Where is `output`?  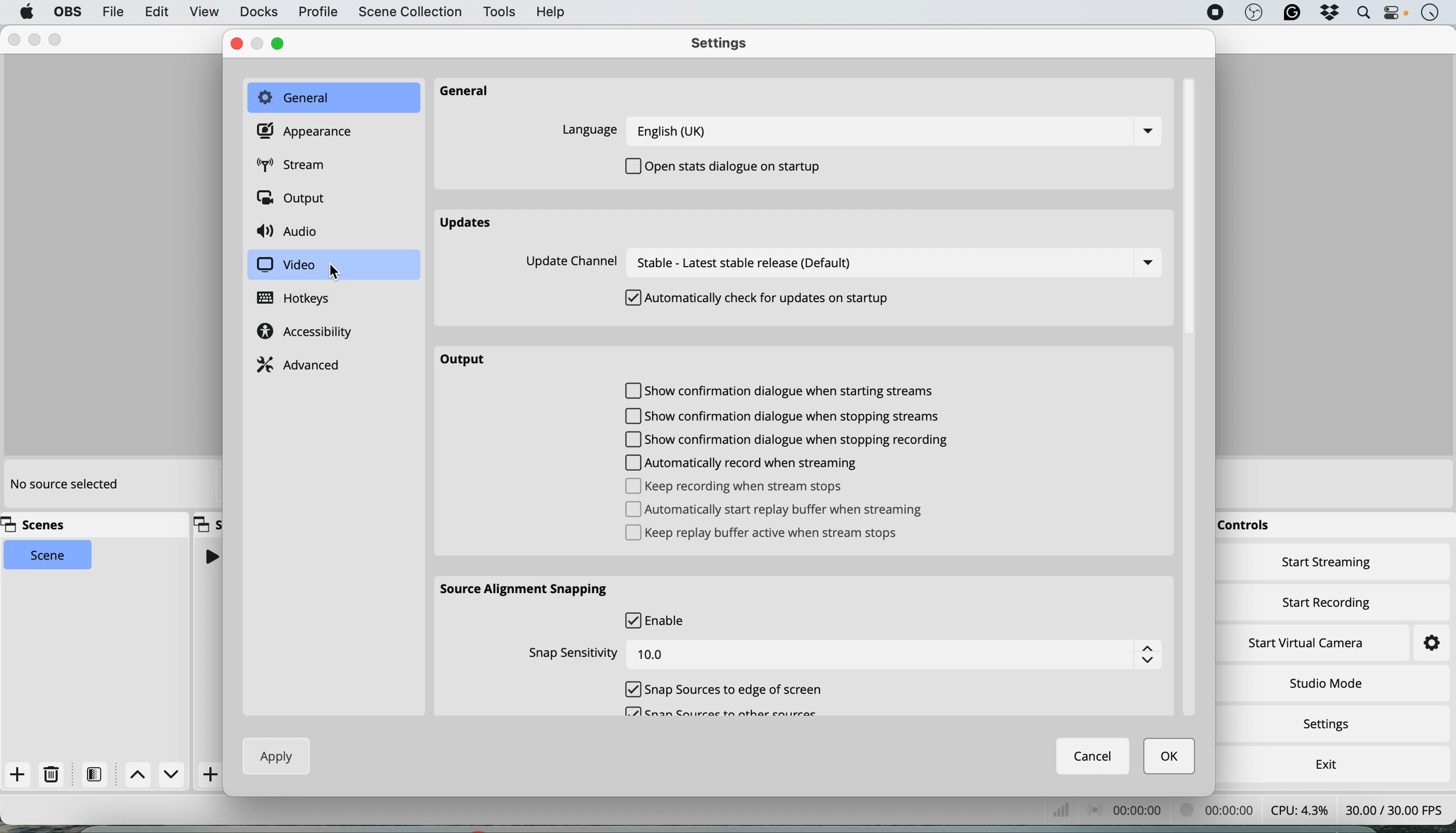
output is located at coordinates (295, 200).